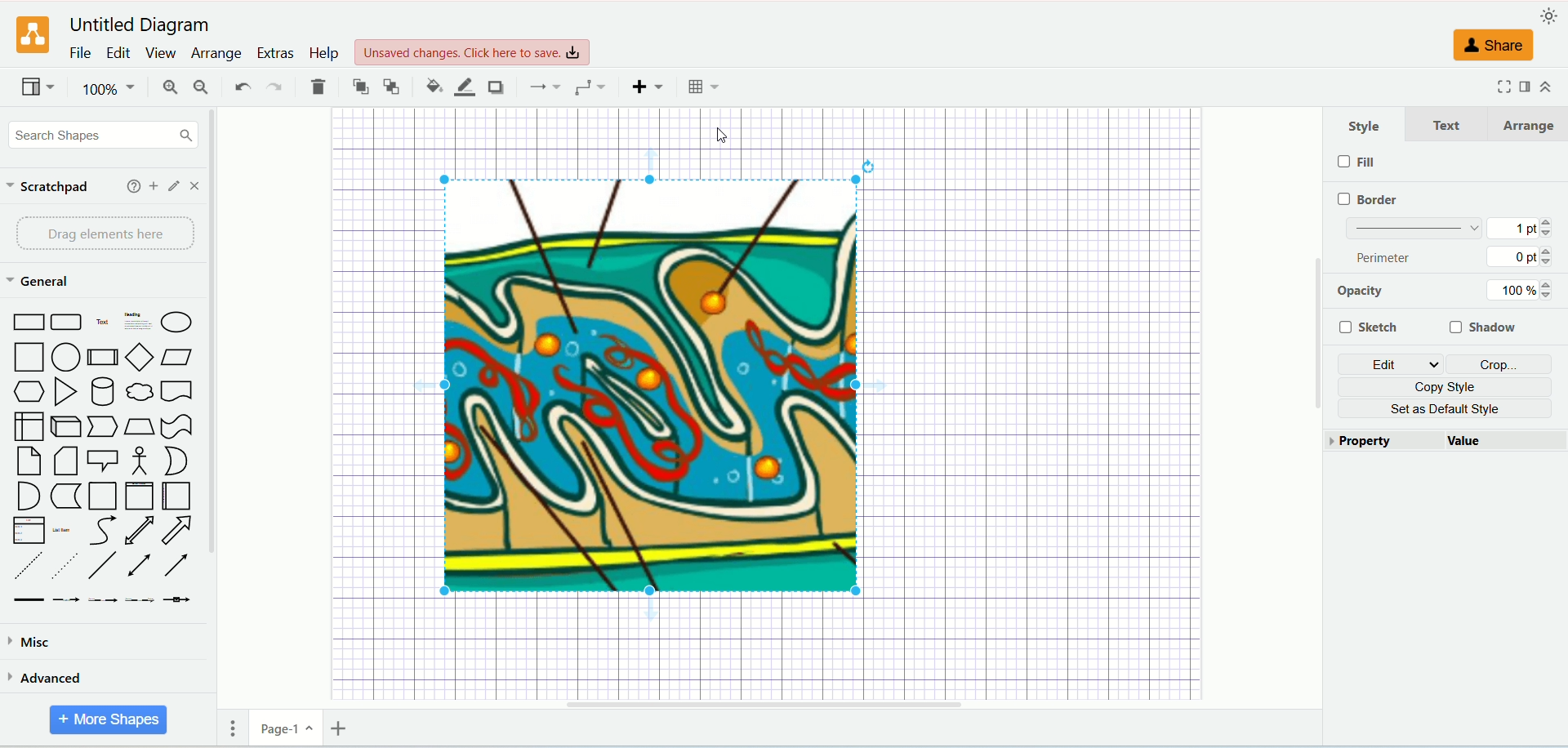 Image resolution: width=1568 pixels, height=748 pixels. I want to click on extras, so click(278, 52).